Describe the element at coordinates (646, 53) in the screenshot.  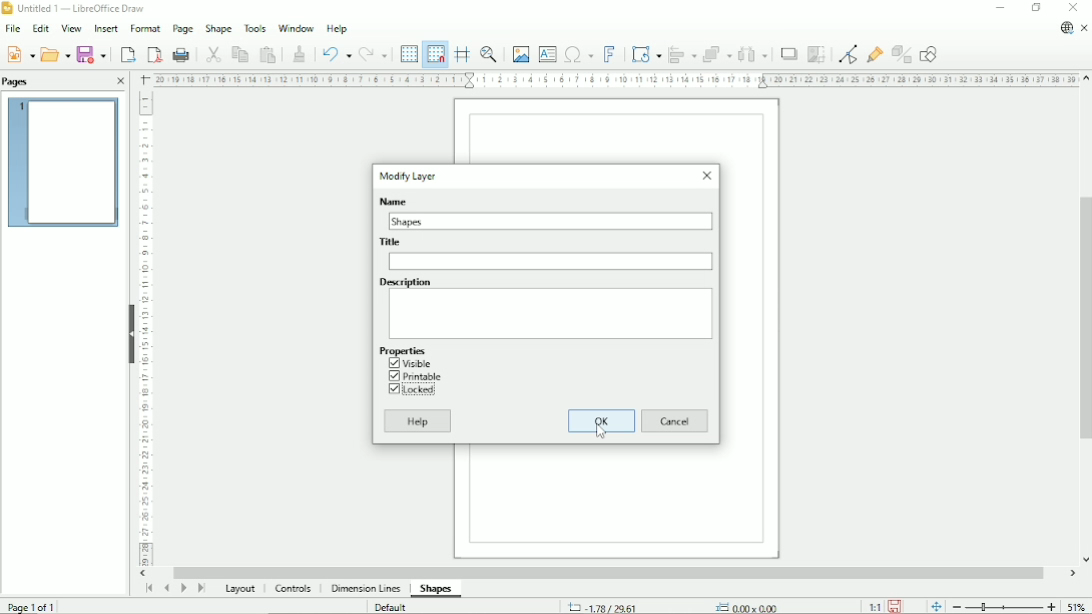
I see `Transformation` at that location.